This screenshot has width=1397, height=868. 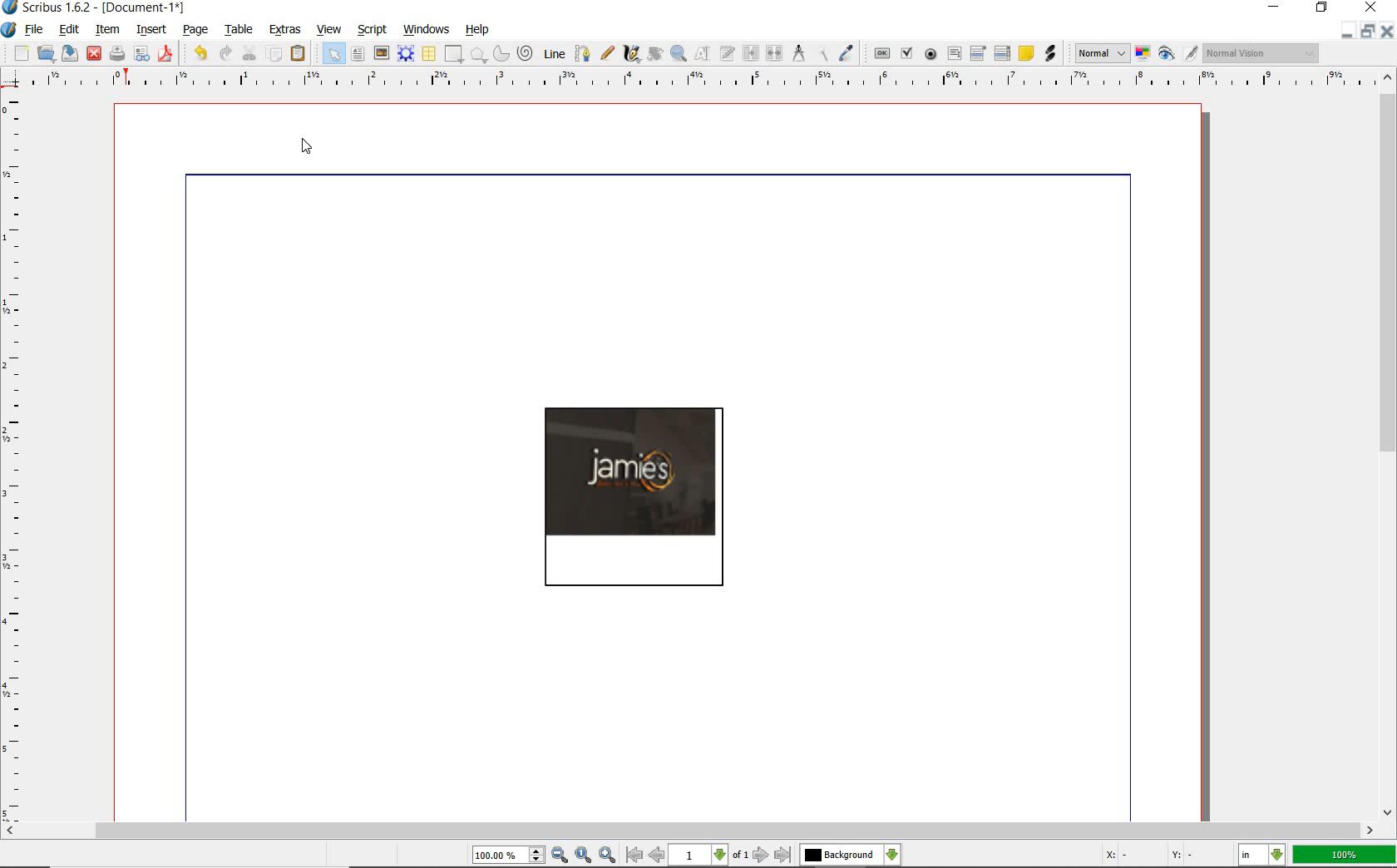 What do you see at coordinates (196, 30) in the screenshot?
I see `page` at bounding box center [196, 30].